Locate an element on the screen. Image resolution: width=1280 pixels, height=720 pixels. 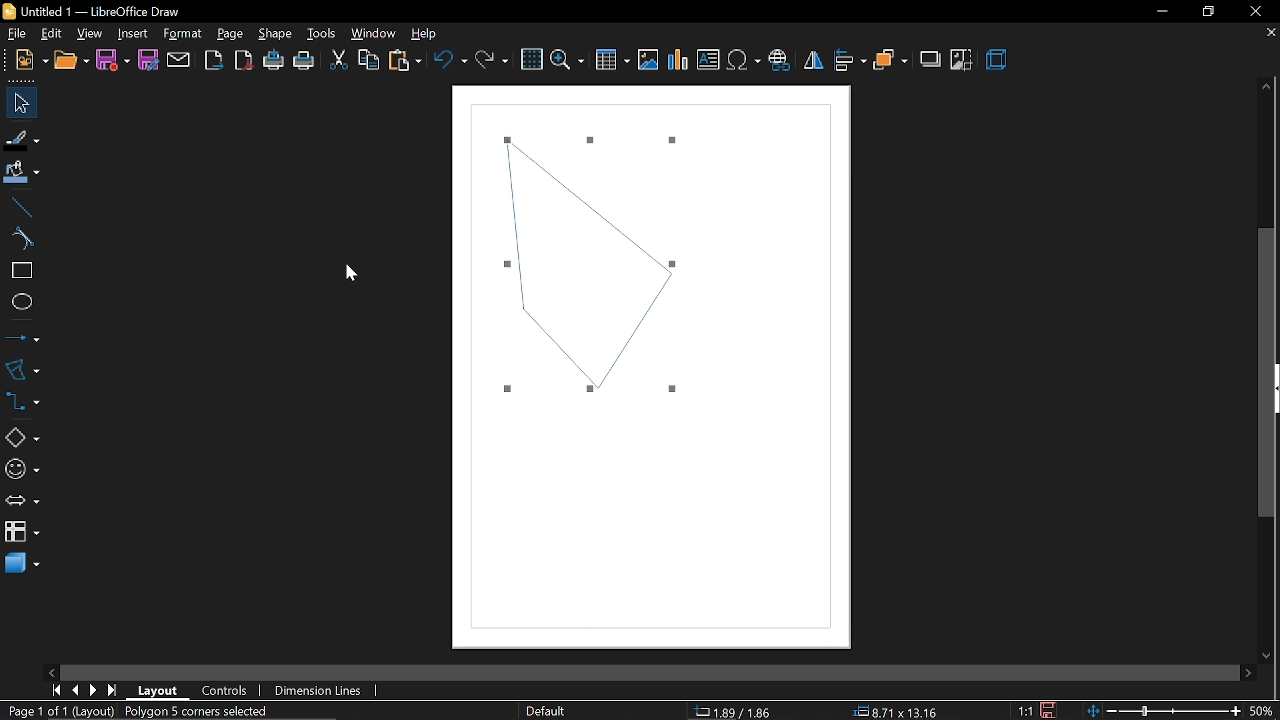
window is located at coordinates (372, 34).